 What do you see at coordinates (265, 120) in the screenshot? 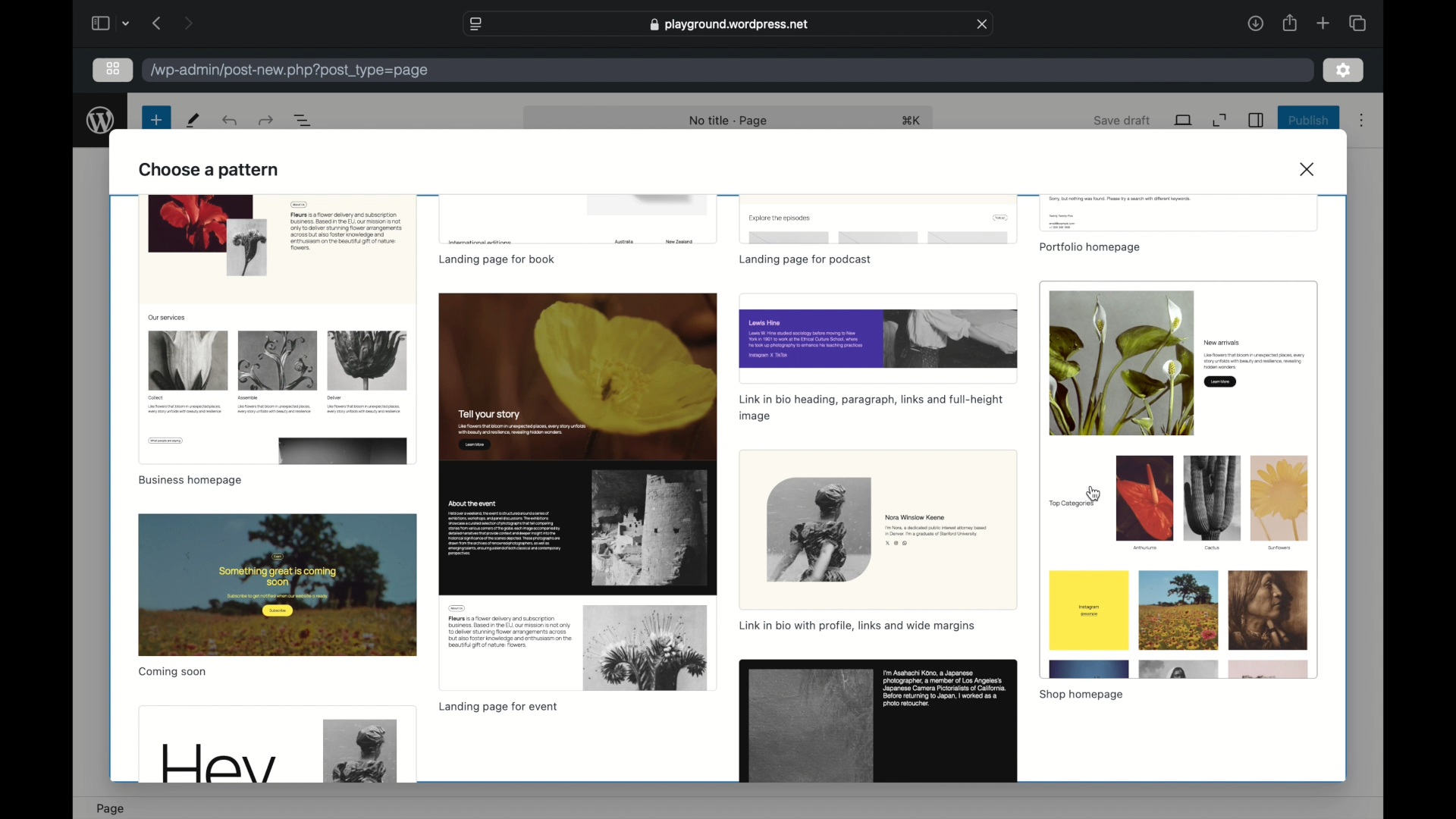
I see `undo` at bounding box center [265, 120].